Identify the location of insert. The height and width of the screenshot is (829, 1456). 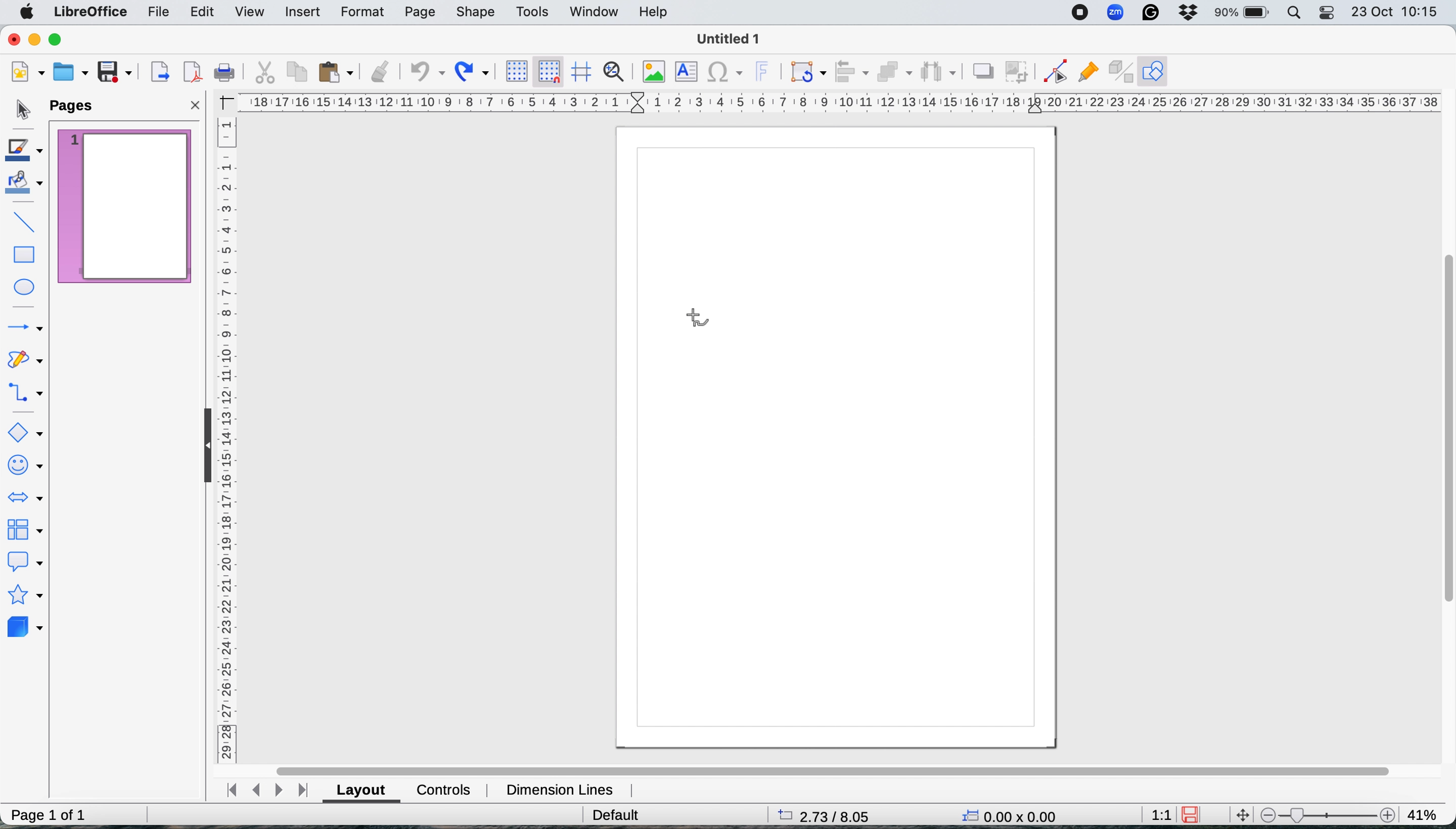
(304, 13).